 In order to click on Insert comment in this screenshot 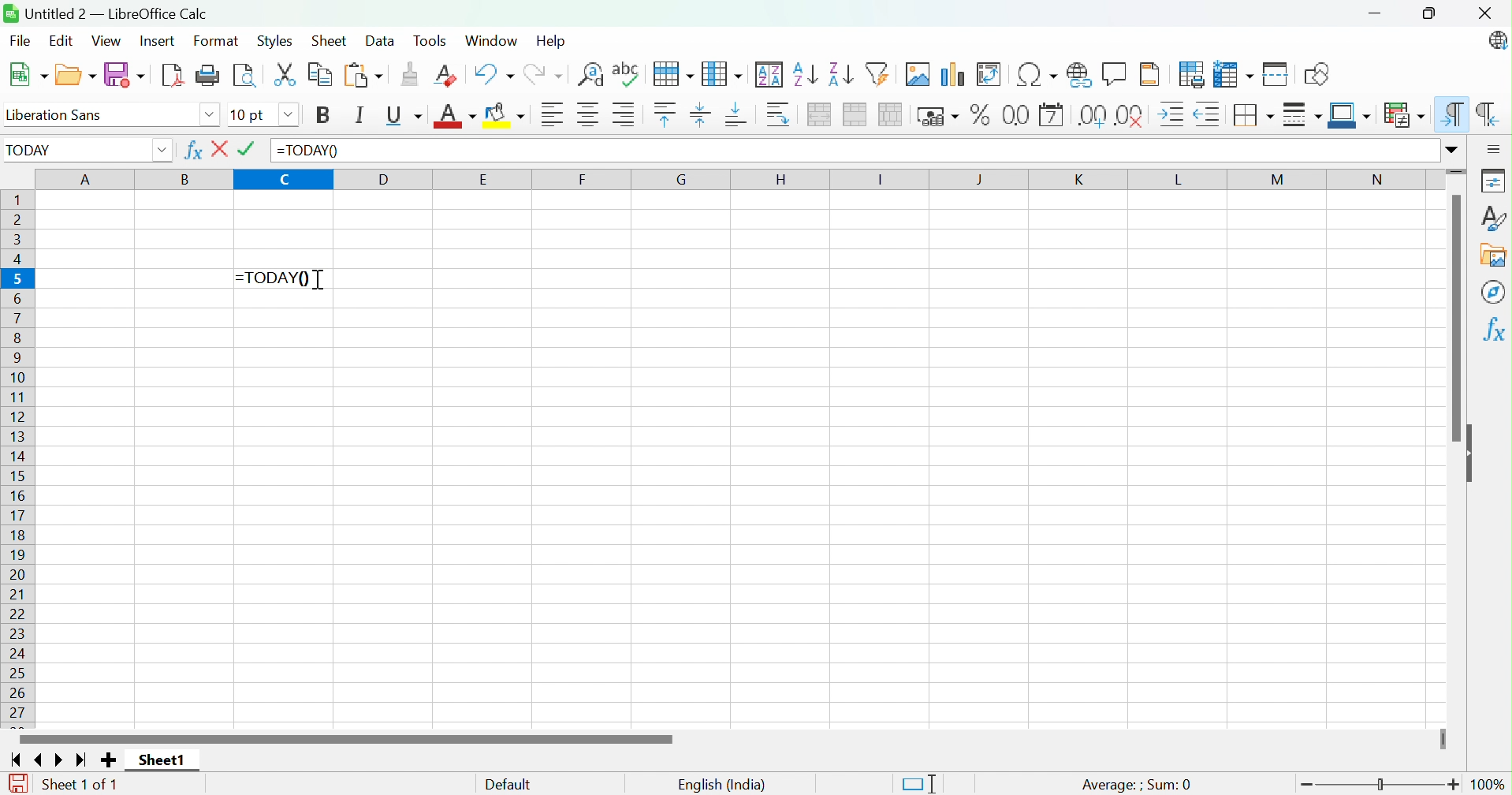, I will do `click(1116, 73)`.